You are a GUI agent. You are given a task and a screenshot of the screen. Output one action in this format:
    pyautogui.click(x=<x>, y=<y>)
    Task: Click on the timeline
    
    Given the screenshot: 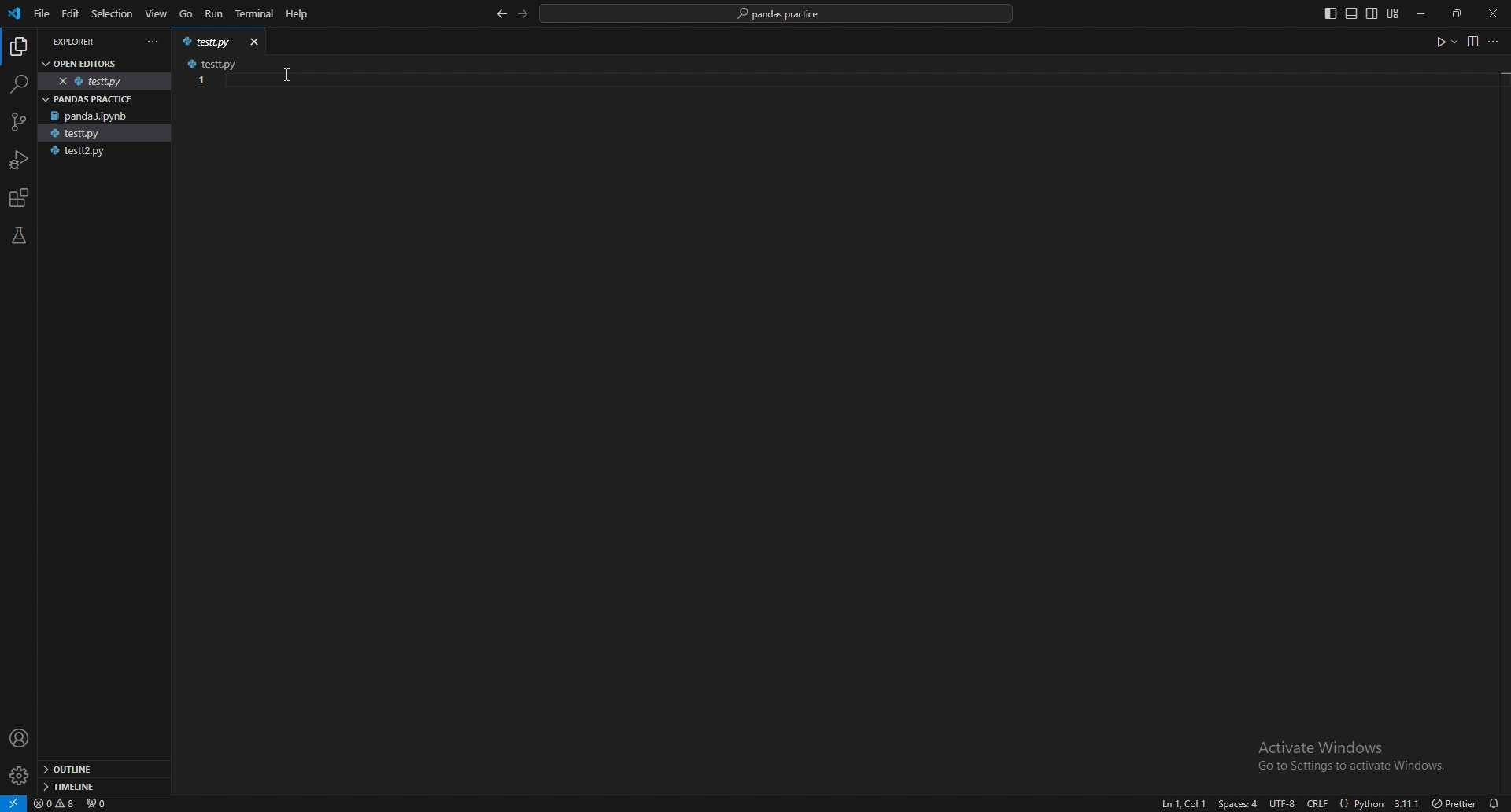 What is the action you would take?
    pyautogui.click(x=102, y=785)
    